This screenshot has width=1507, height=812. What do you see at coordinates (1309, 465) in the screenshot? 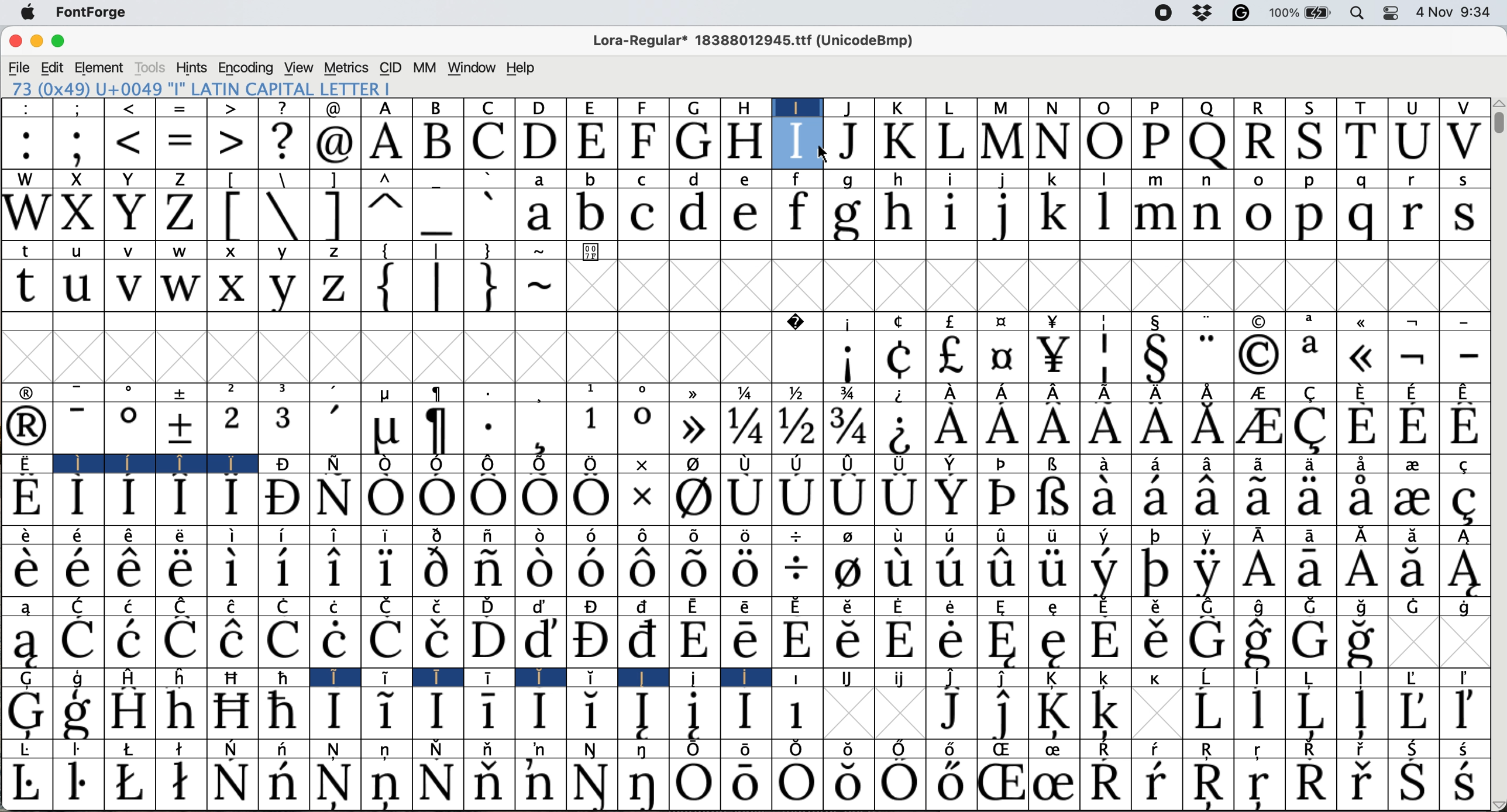
I see `Symbol` at bounding box center [1309, 465].